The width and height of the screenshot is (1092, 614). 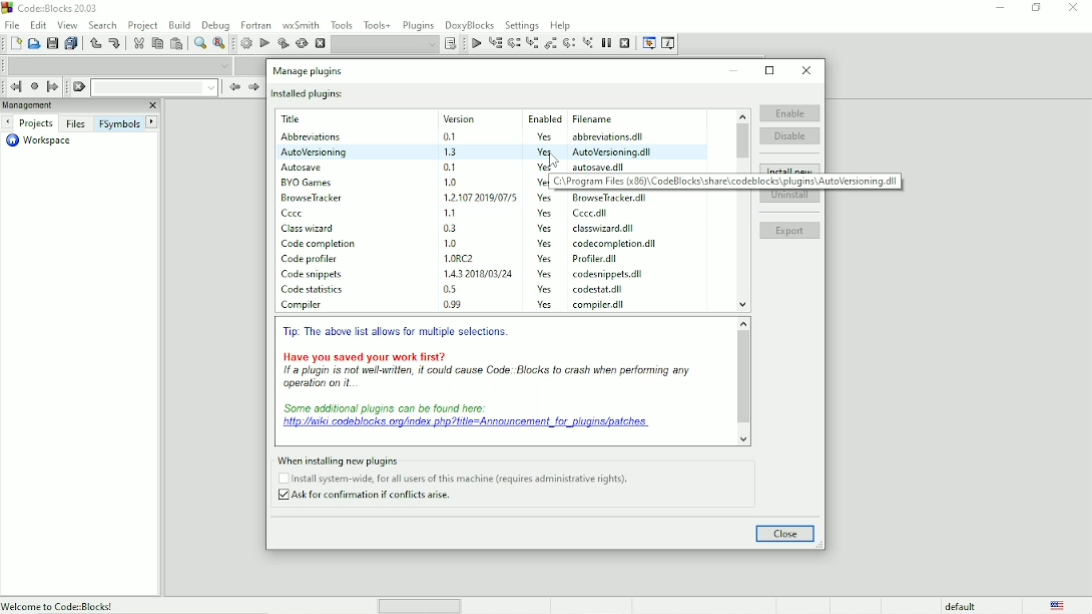 What do you see at coordinates (310, 229) in the screenshot?
I see `Class wizard` at bounding box center [310, 229].